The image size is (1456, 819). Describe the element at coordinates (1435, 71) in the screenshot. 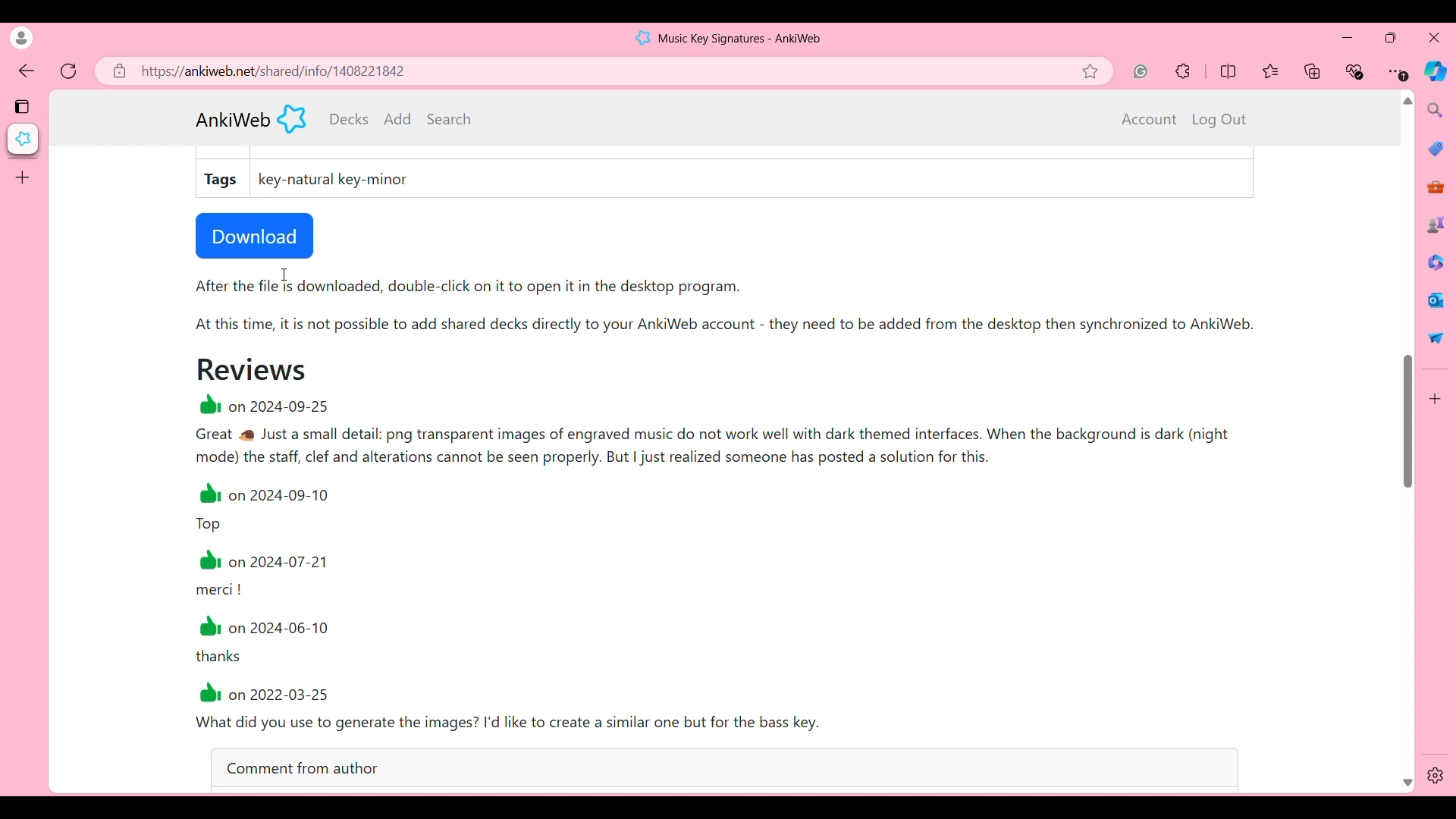

I see `Browser AI` at that location.